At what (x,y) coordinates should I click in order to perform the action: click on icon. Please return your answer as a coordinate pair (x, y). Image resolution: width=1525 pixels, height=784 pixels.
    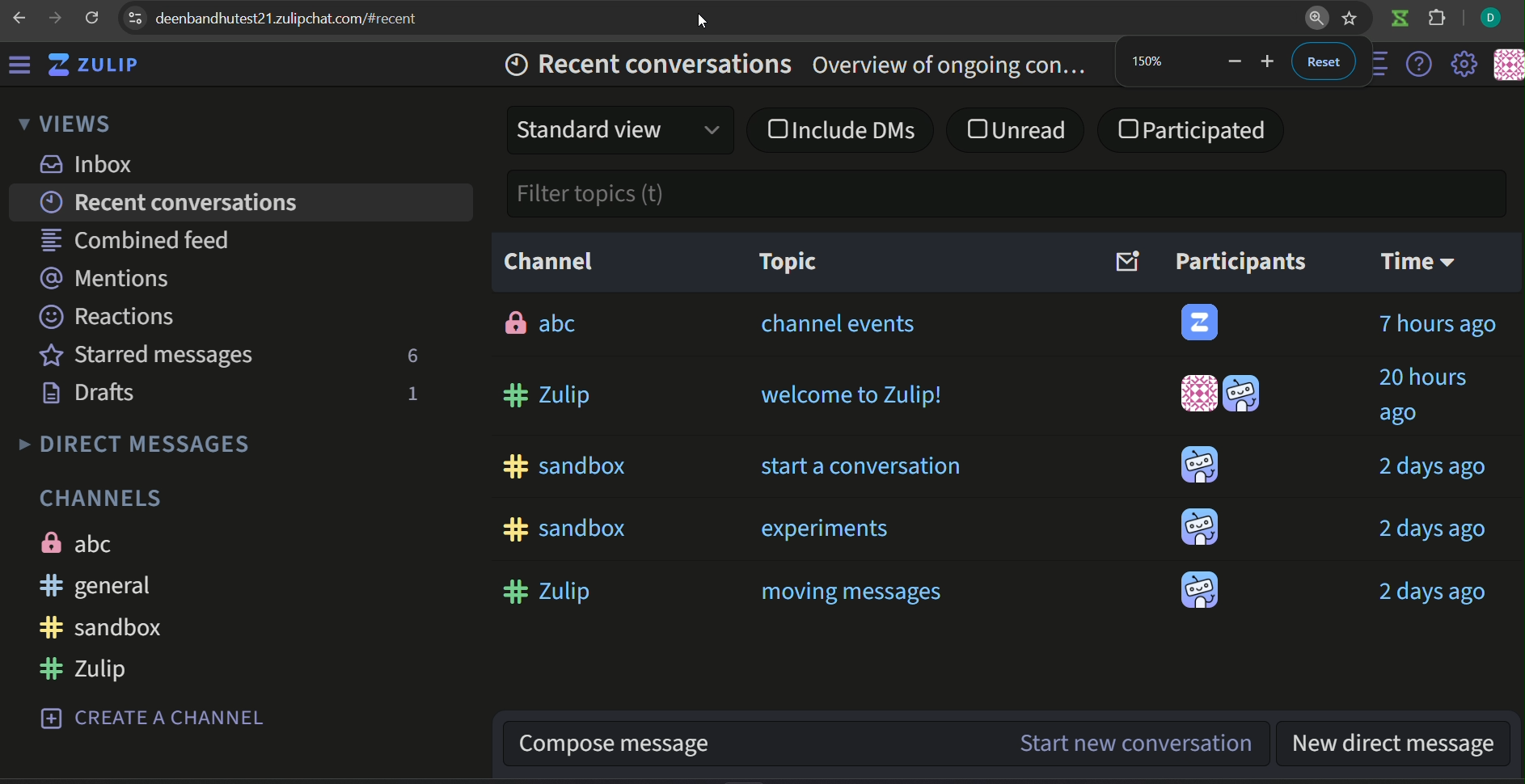
    Looking at the image, I should click on (1508, 65).